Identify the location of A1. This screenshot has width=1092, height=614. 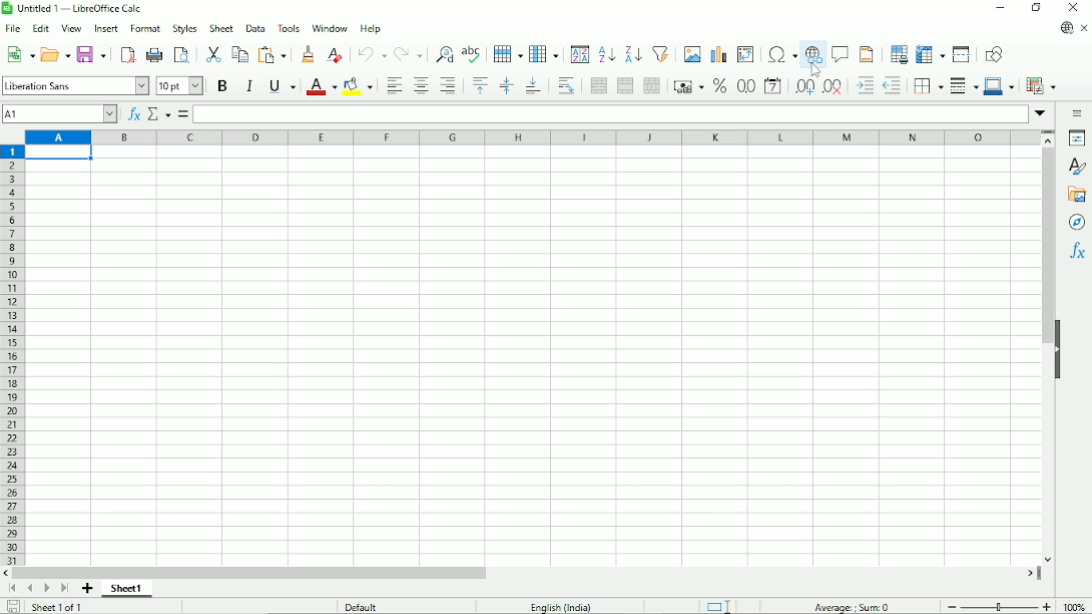
(61, 115).